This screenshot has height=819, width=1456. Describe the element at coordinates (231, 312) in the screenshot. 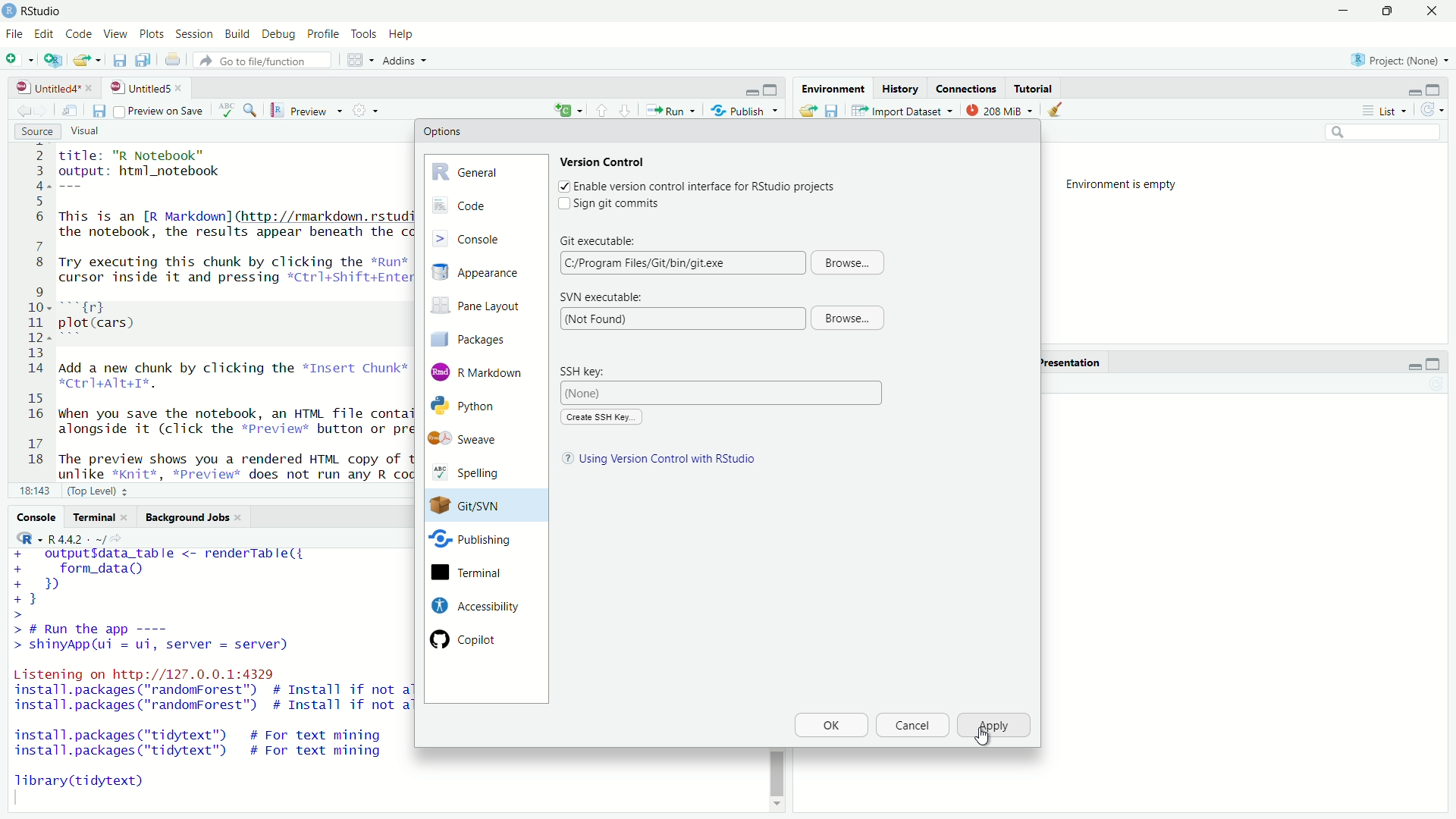

I see `Title: 'R Notebook

output: html_notebook

This is an [R Markdown] (http: //rmarkdown.rstudio.com) Notebook. When you execute code within
the notebook, the results appear beneath the code.

Try executing this chunk by clicking the *Run* button within the chunk or by placing your
cursor inside it and pressing *Ctrl+Shift+Enter.
rd zh
plot(cars)

Add a new chunk by clicking the *Insert Chunk* button on the toolbar or by pressing
HCErT+ATE+I%.

when you save the notebook, an HTML file containing the code and output will be saved
alongside it (click the *Previews button or press *Ctrl+shift+k* to preview the HTML file).
The preview shows you a rendered HTML copy of the contents of the editor. Consequently,
unlike *knit*. *pPreview* does not run anv R code chunks. Instead. the output of the chunk` at that location.